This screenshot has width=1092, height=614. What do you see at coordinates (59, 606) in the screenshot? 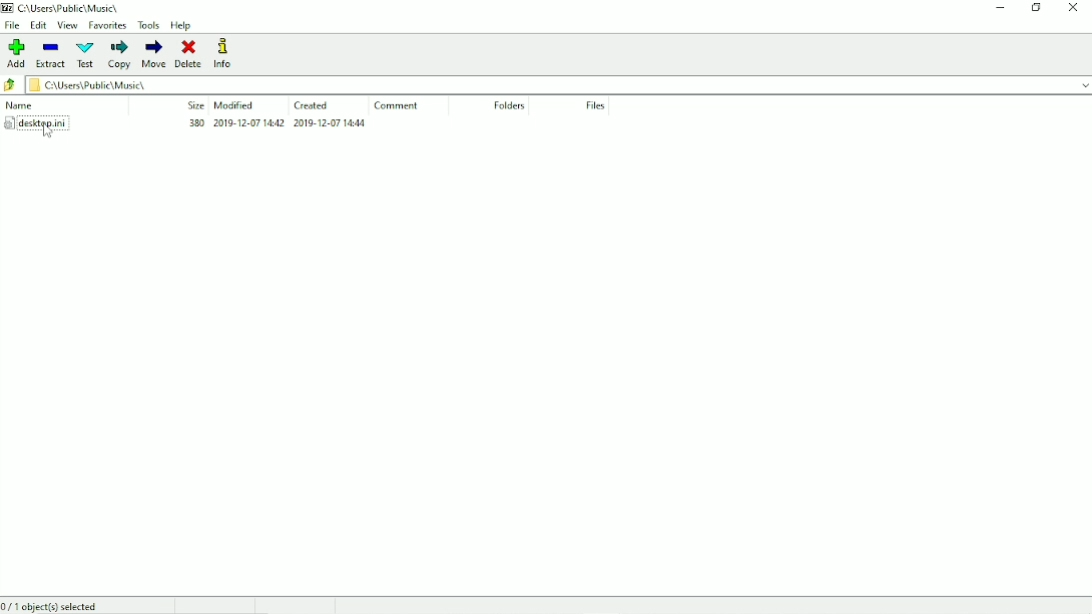
I see `0/1 object(s) selected` at bounding box center [59, 606].